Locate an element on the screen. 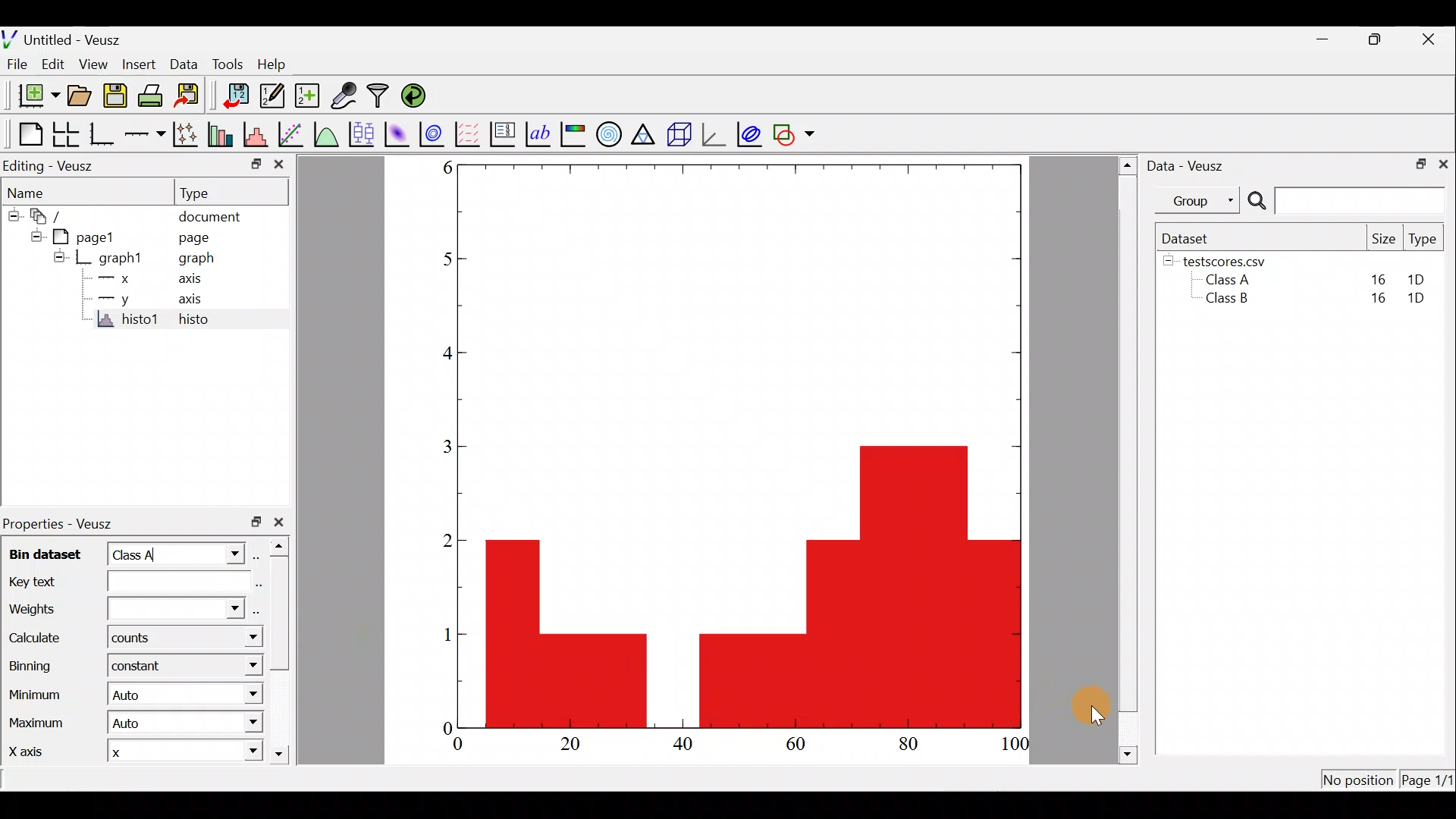  scroll bar is located at coordinates (281, 652).